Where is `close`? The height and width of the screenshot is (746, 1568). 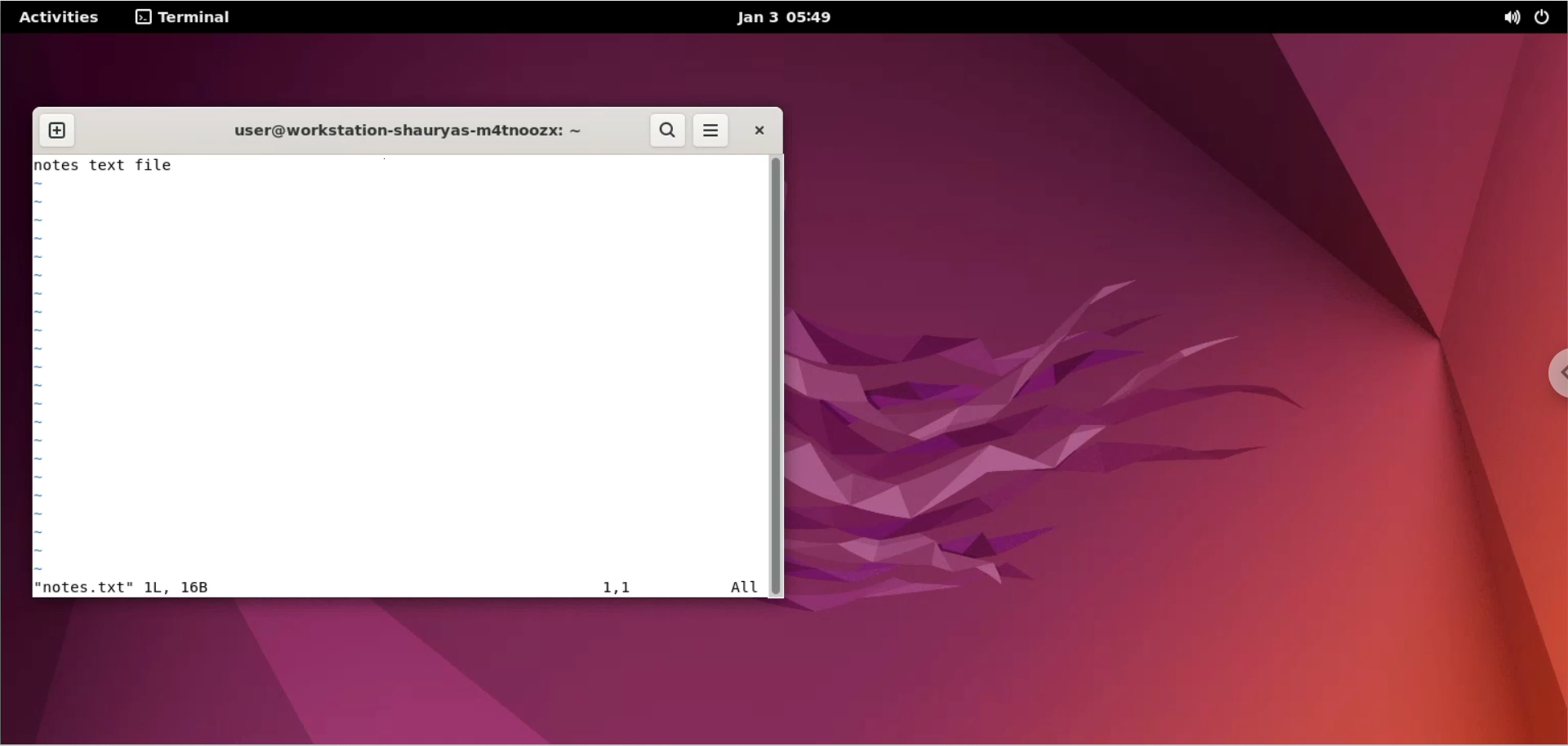 close is located at coordinates (758, 130).